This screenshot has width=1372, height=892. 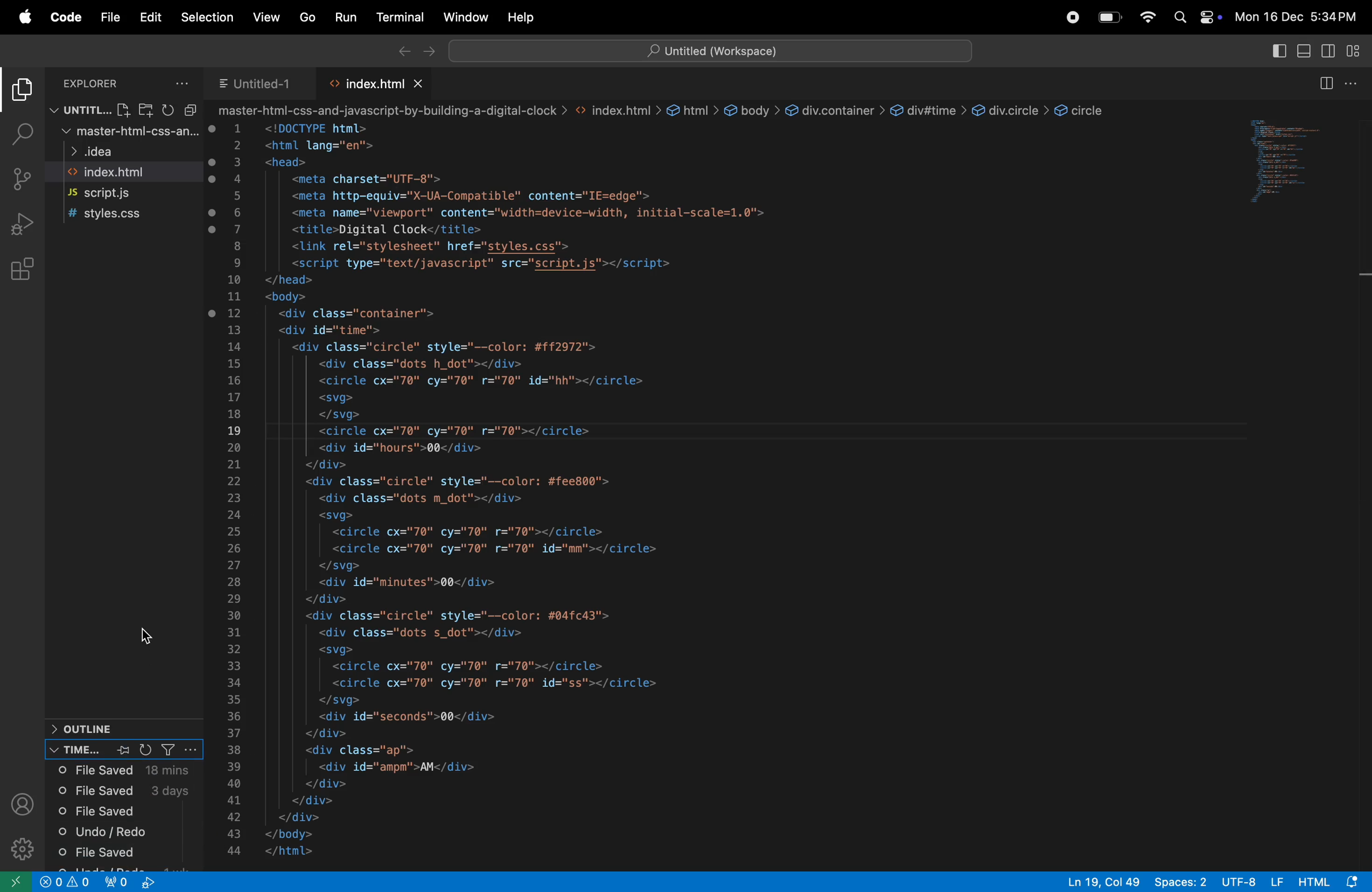 I want to click on Add Page, so click(x=122, y=111).